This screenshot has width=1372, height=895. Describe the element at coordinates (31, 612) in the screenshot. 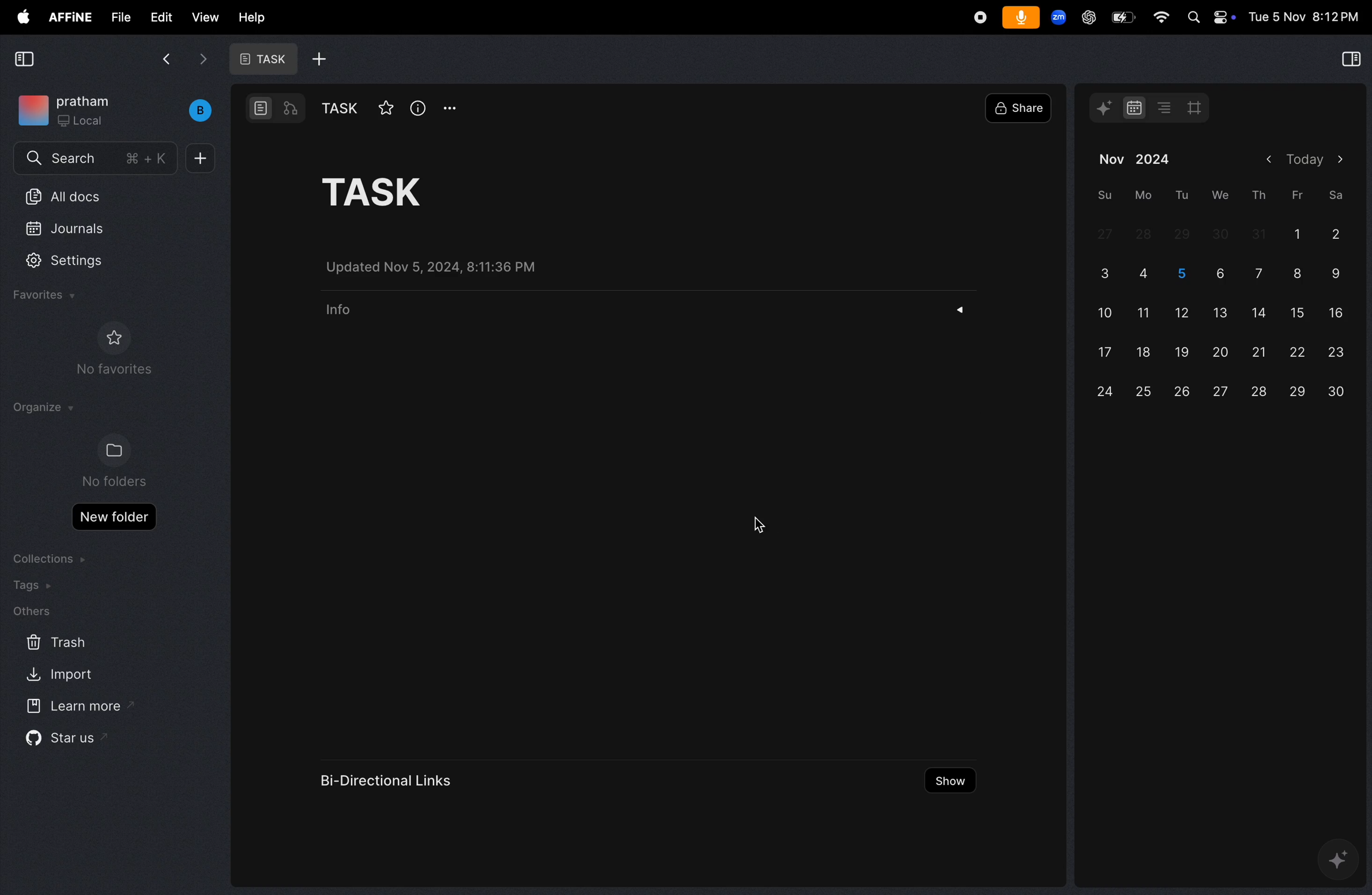

I see `others` at that location.